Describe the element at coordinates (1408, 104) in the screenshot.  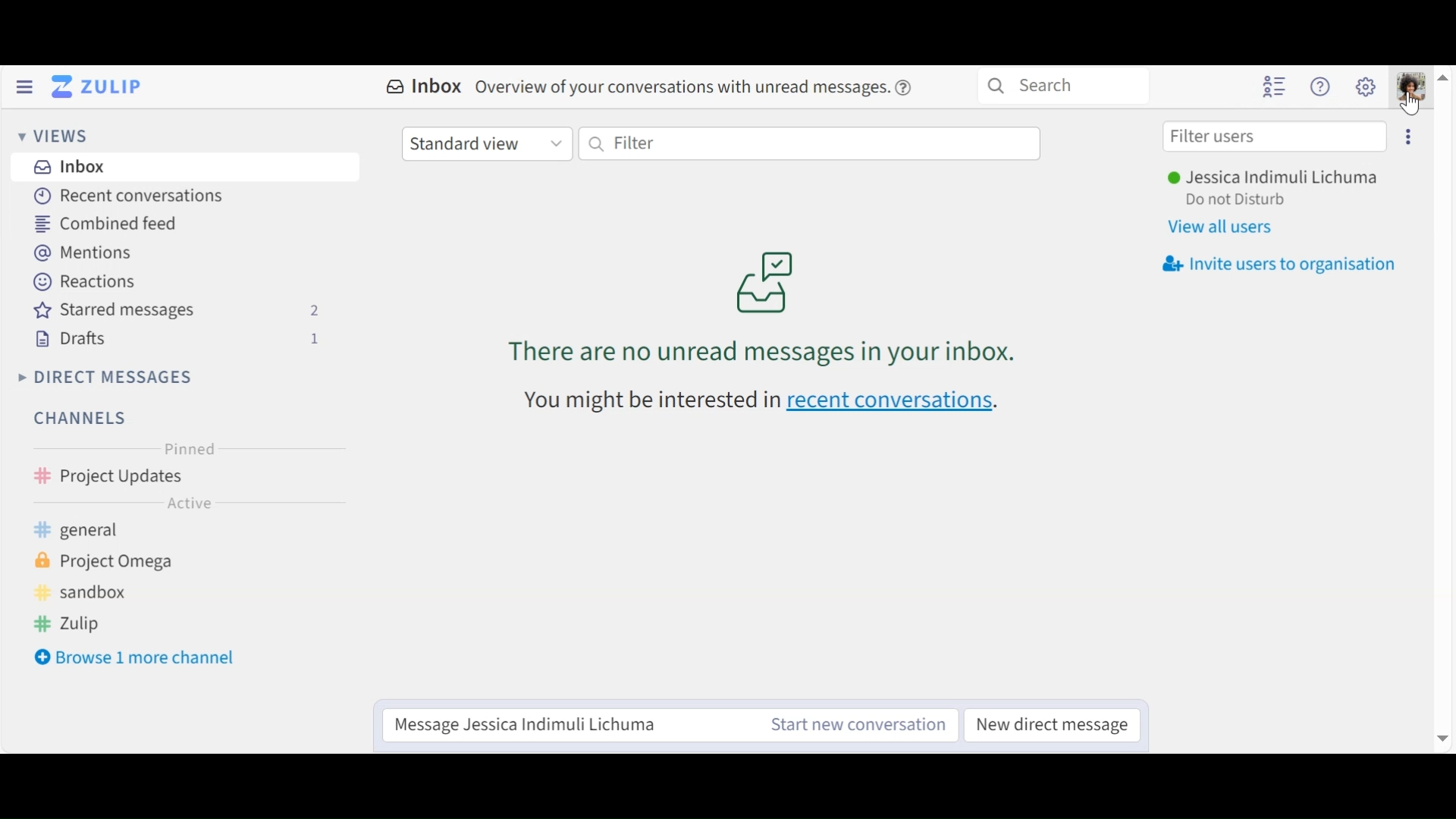
I see `Cursor` at that location.